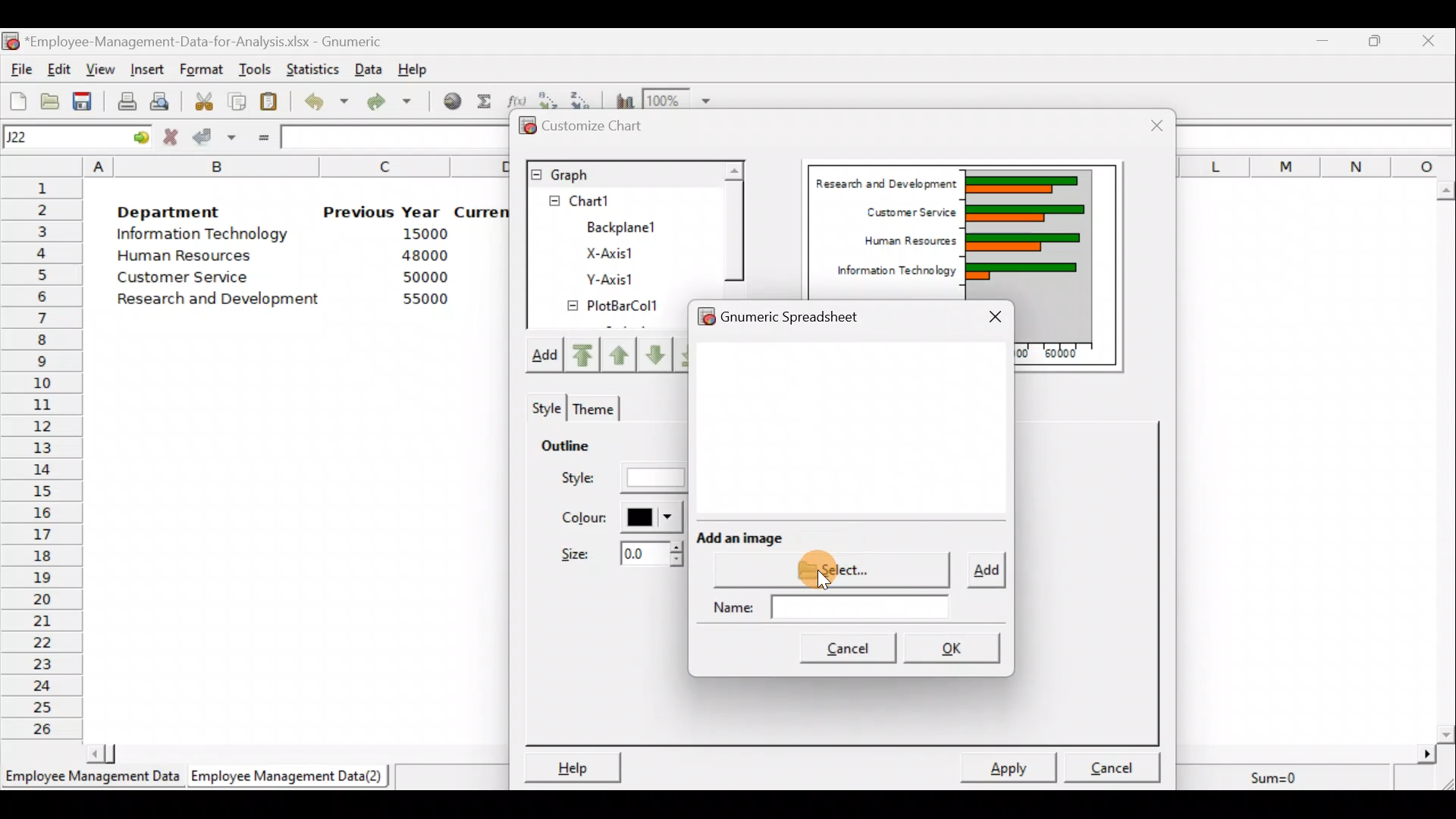 The image size is (1456, 819). I want to click on Previous Year, so click(383, 211).